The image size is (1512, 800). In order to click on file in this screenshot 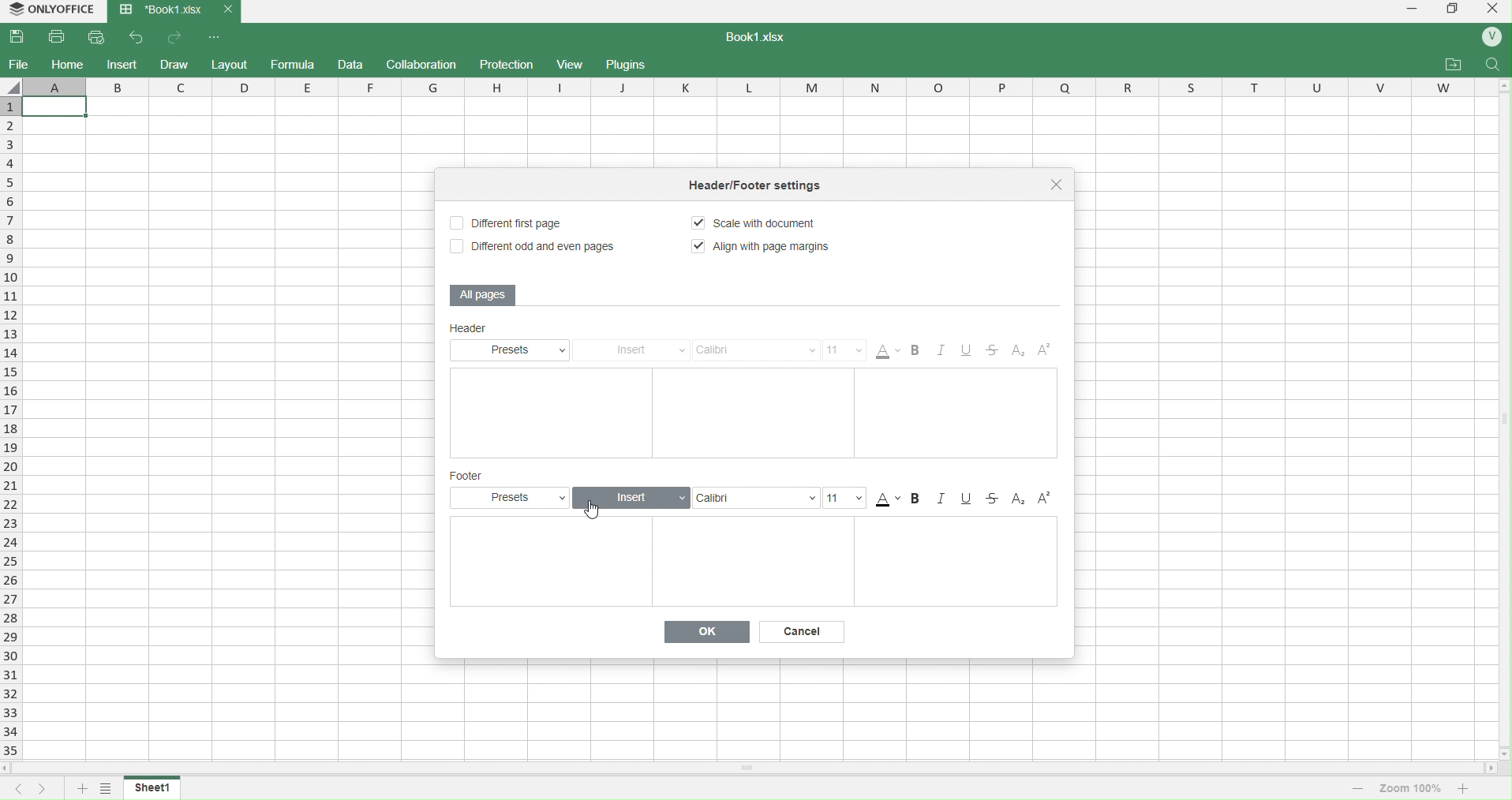, I will do `click(19, 64)`.